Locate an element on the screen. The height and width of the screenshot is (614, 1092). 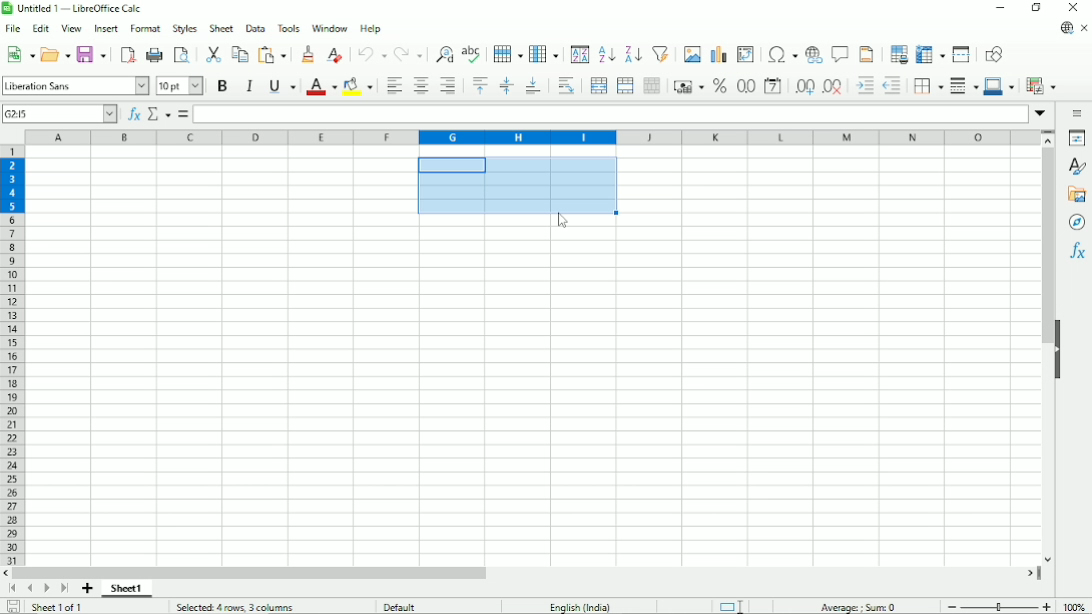
selected 4 rows, 3 columns is located at coordinates (236, 607).